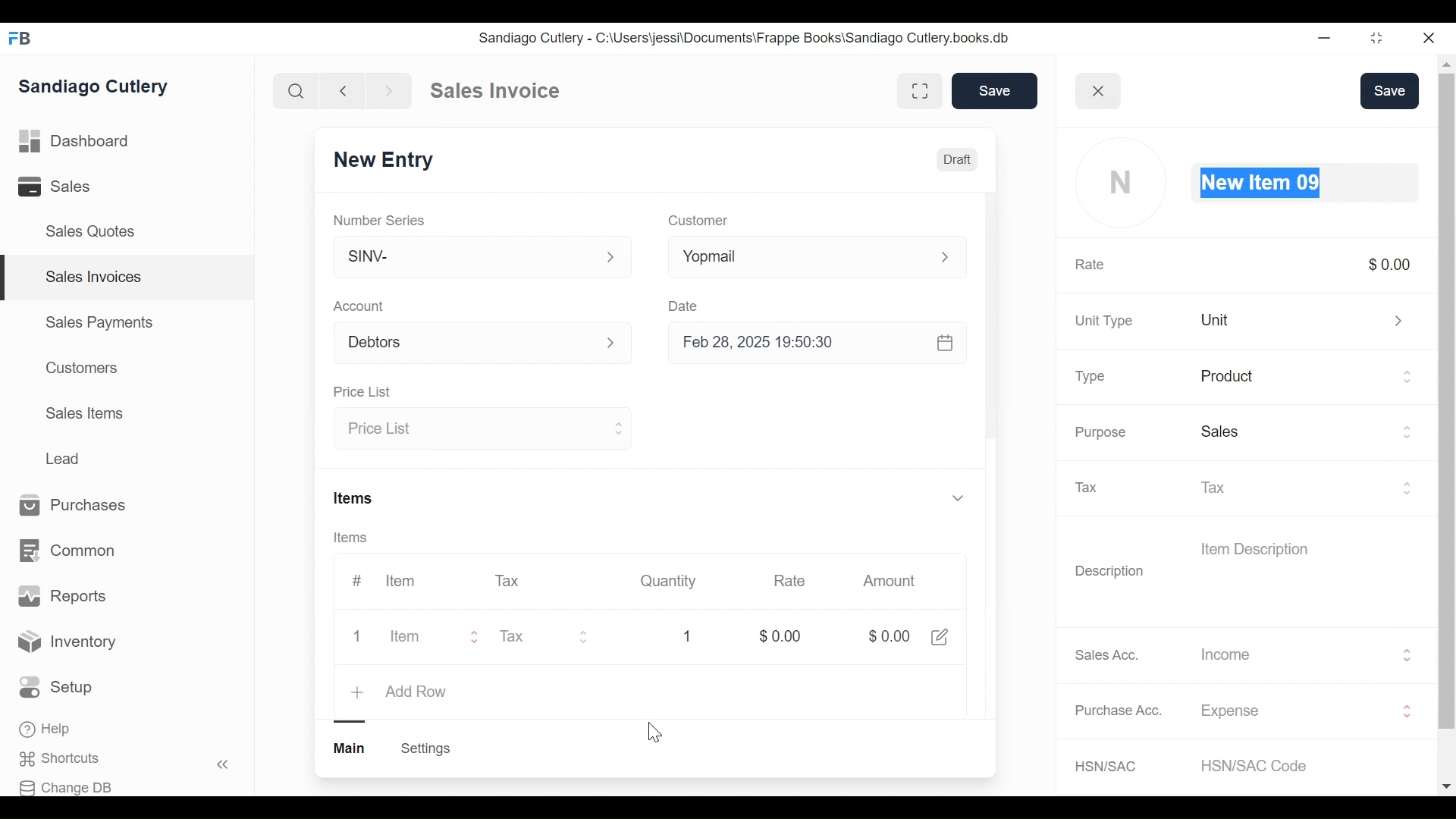  What do you see at coordinates (46, 729) in the screenshot?
I see `Help` at bounding box center [46, 729].